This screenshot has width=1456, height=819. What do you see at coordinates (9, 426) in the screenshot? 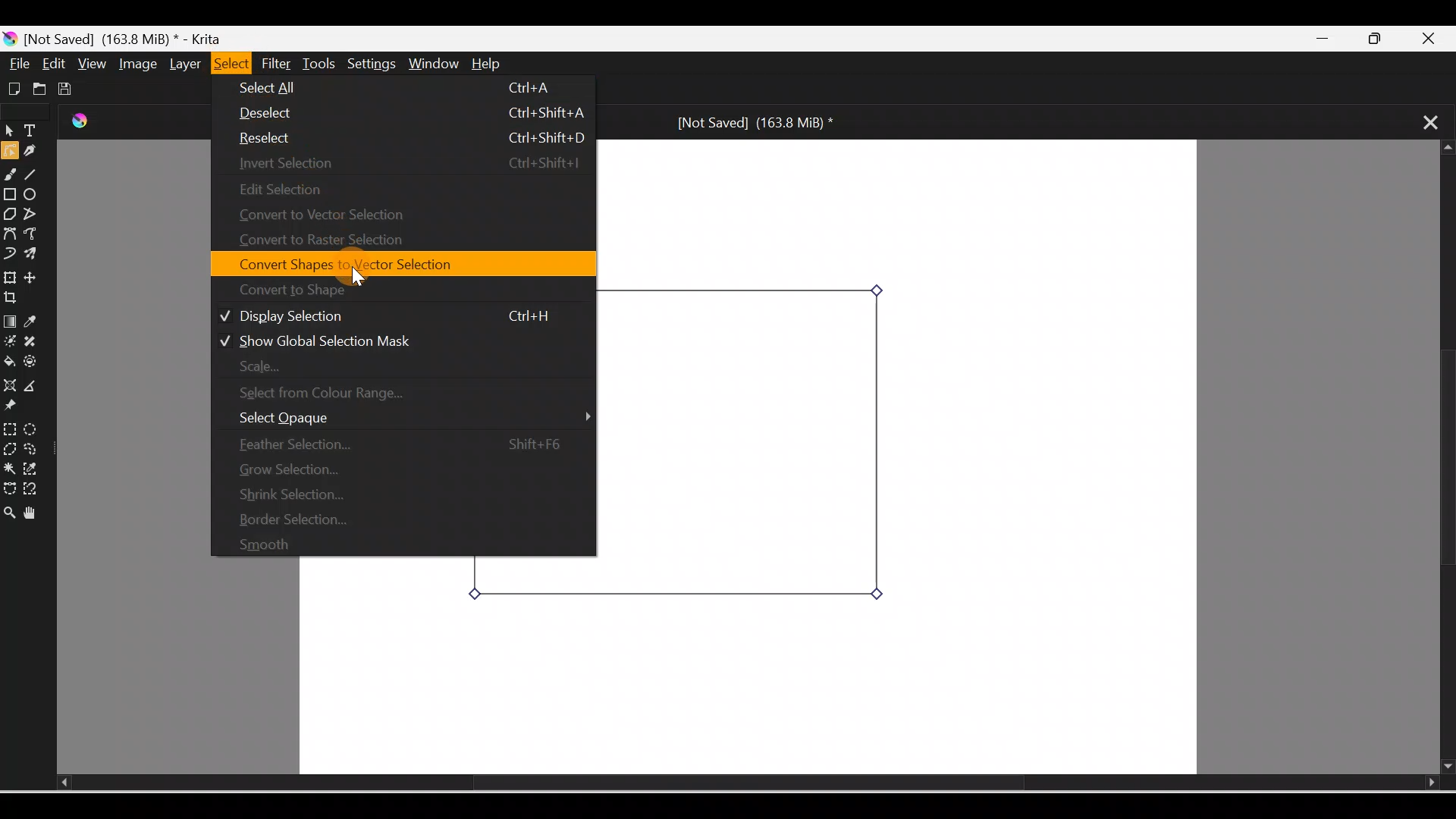
I see `Rectangular selection tool` at bounding box center [9, 426].